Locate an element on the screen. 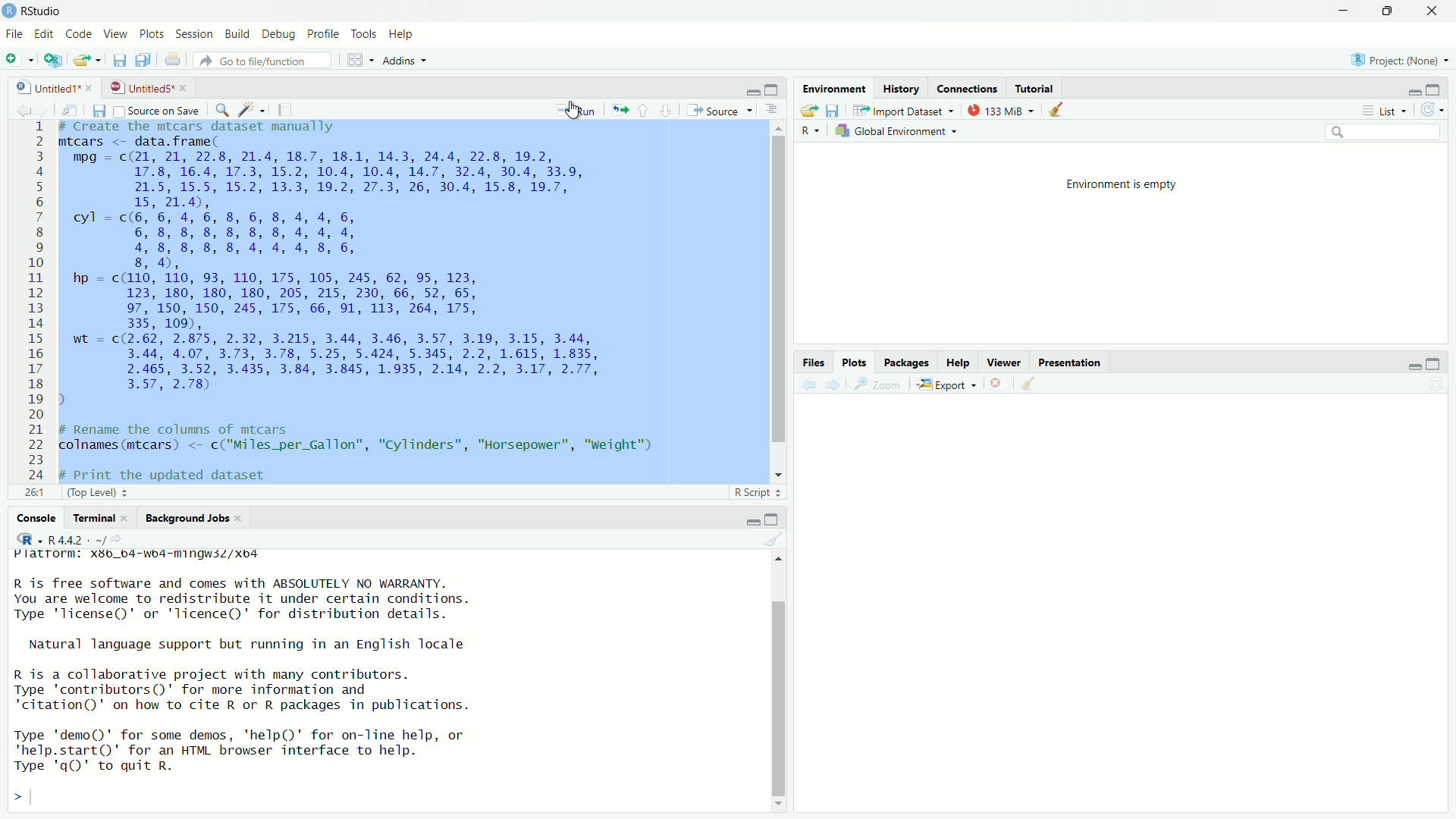  maximise is located at coordinates (1434, 89).